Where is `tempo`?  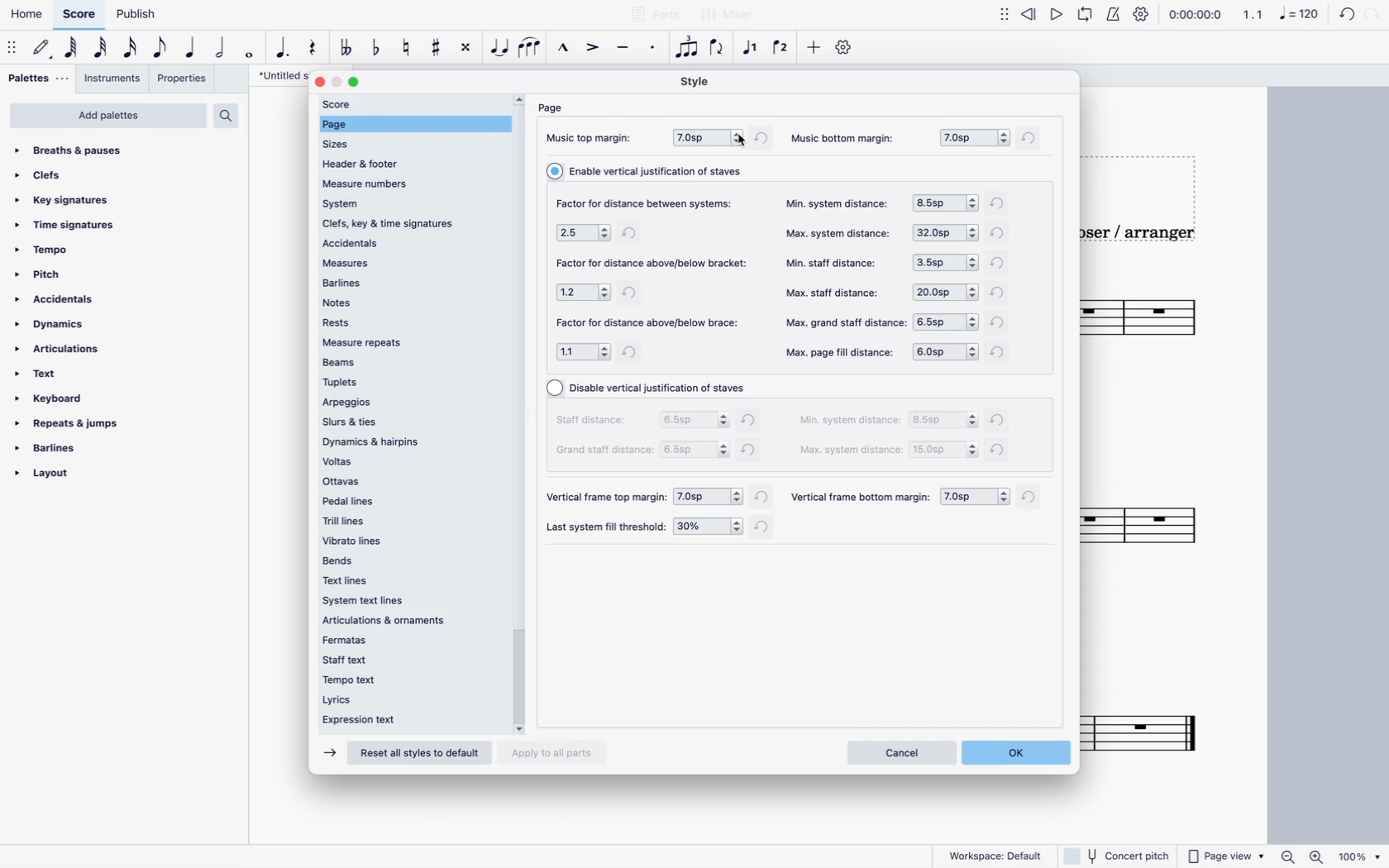
tempo is located at coordinates (45, 249).